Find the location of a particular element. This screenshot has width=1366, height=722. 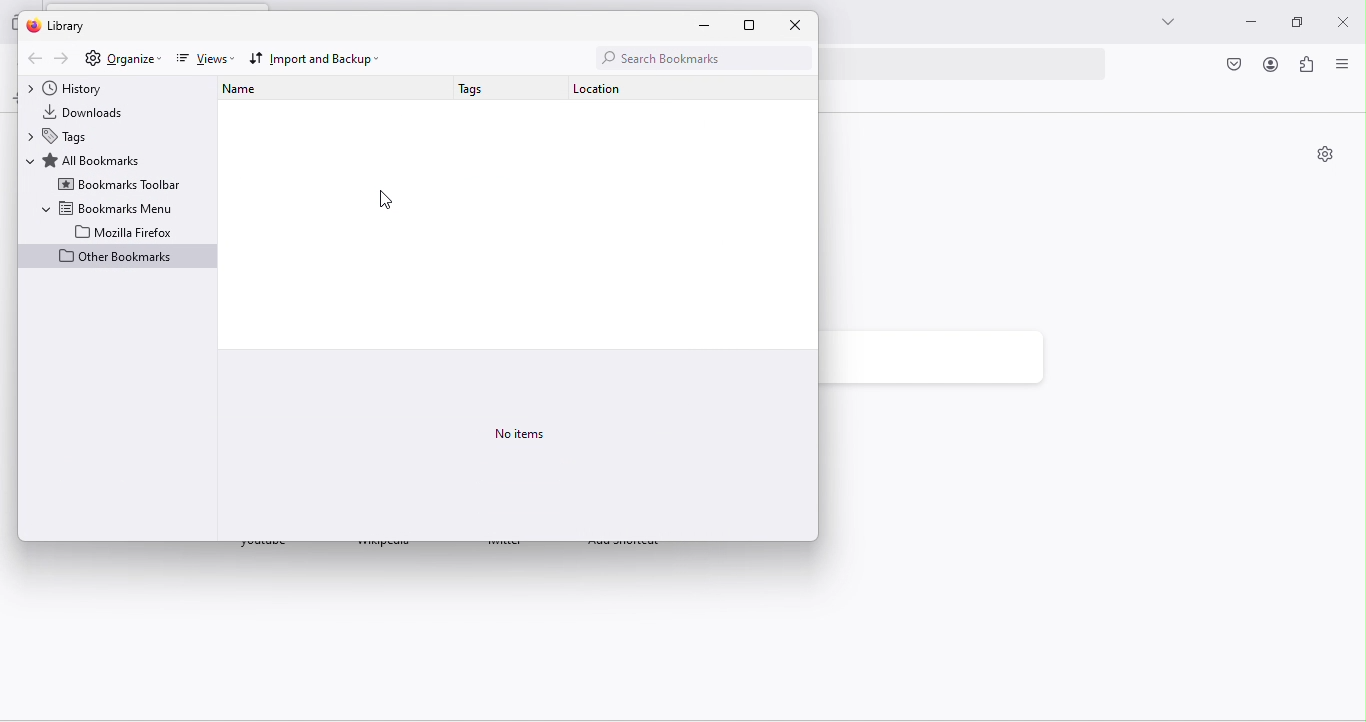

back is located at coordinates (32, 59).